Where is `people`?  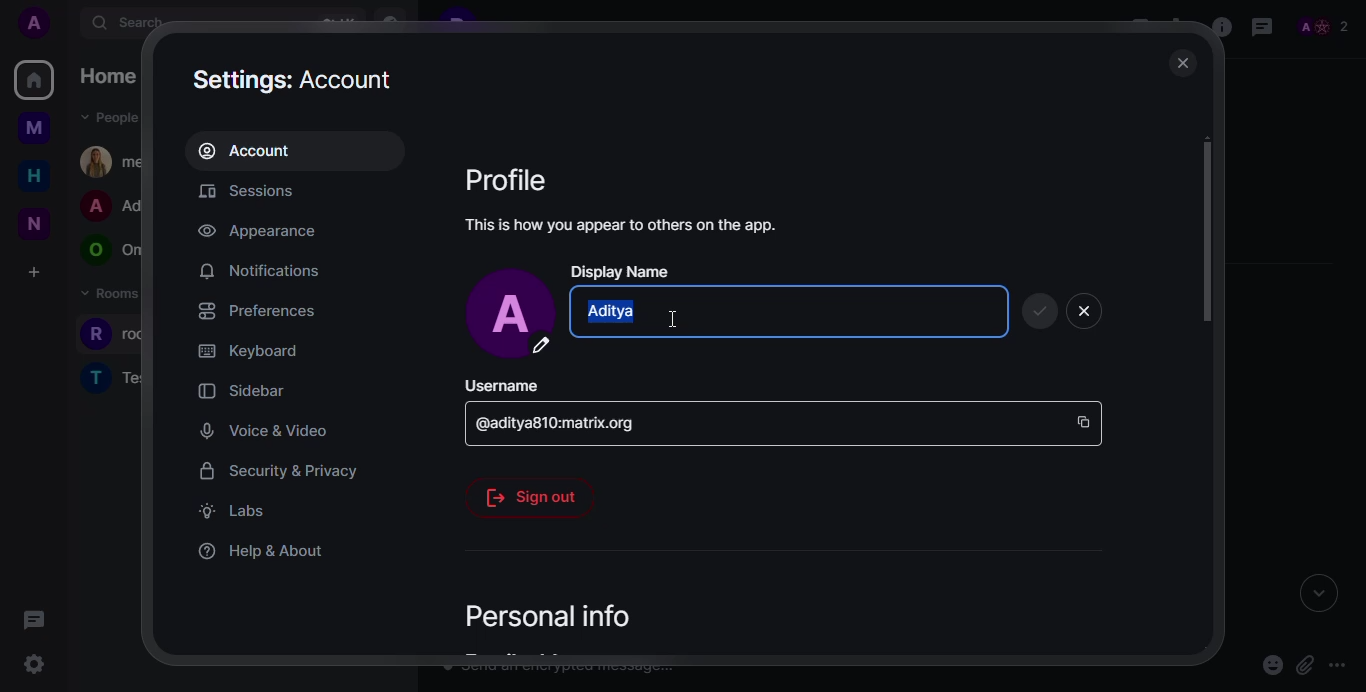
people is located at coordinates (1330, 26).